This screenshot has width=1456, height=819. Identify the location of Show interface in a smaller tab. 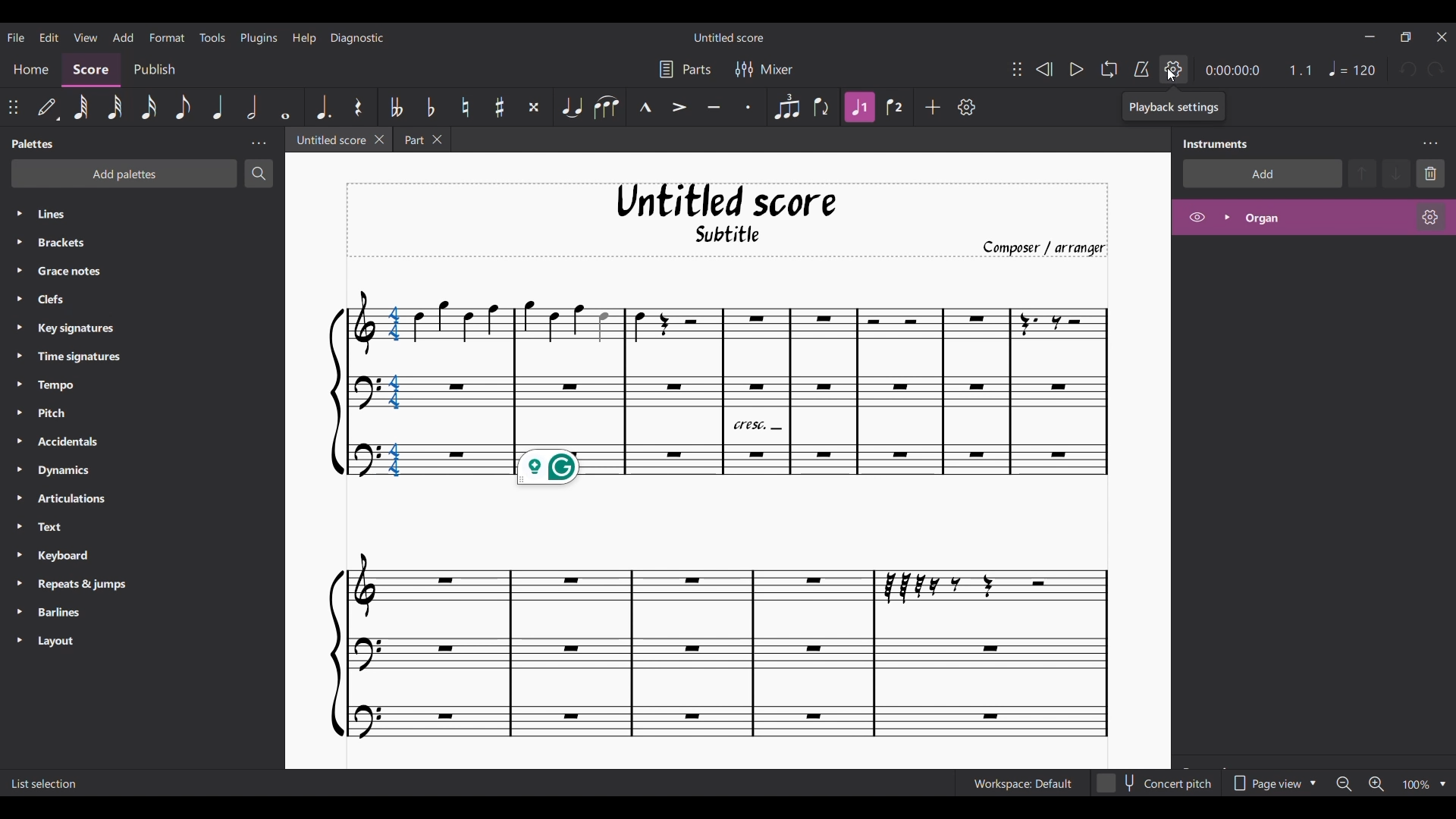
(1406, 37).